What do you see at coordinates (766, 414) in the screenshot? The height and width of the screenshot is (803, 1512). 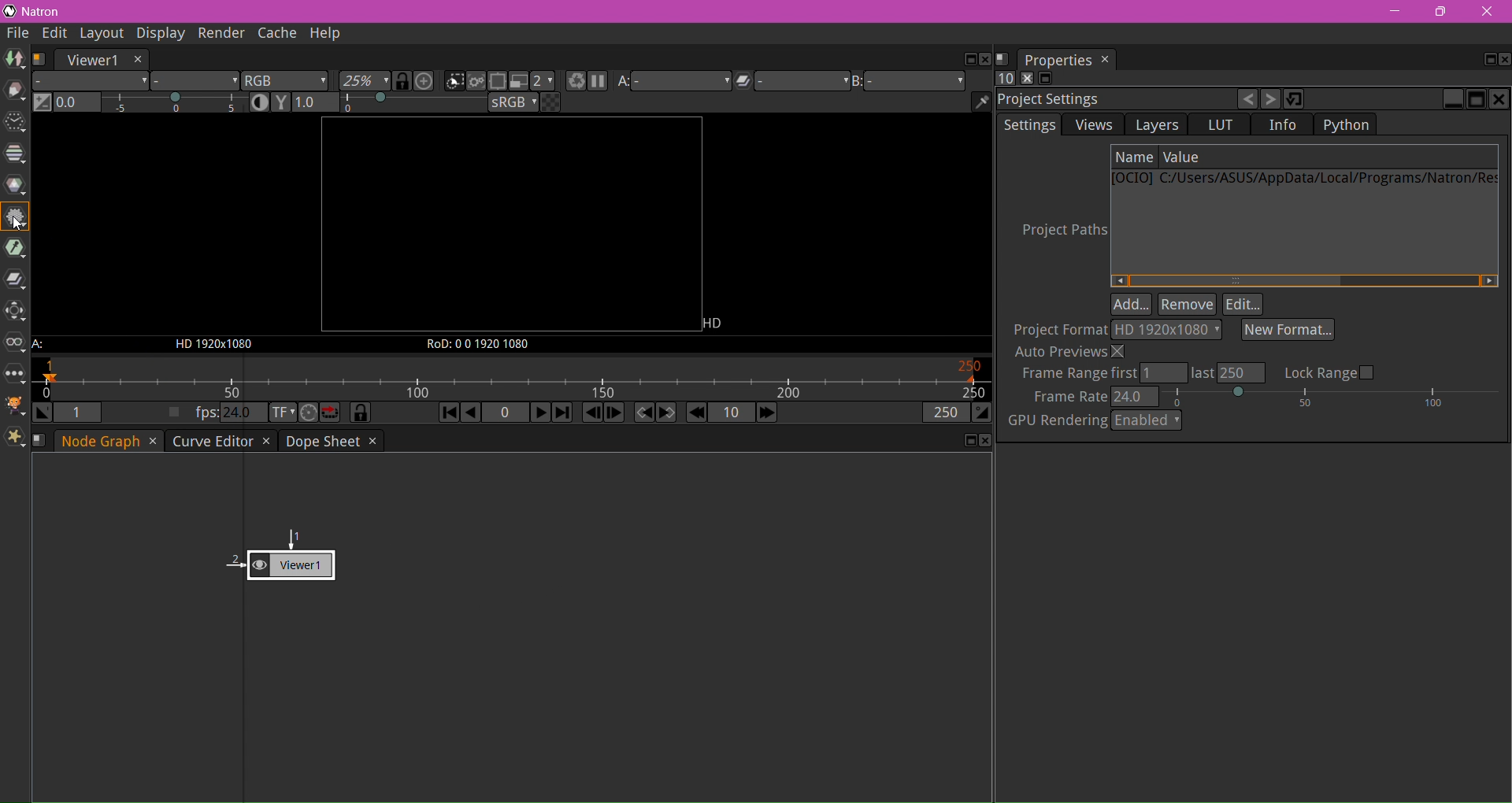 I see `Next Increment` at bounding box center [766, 414].